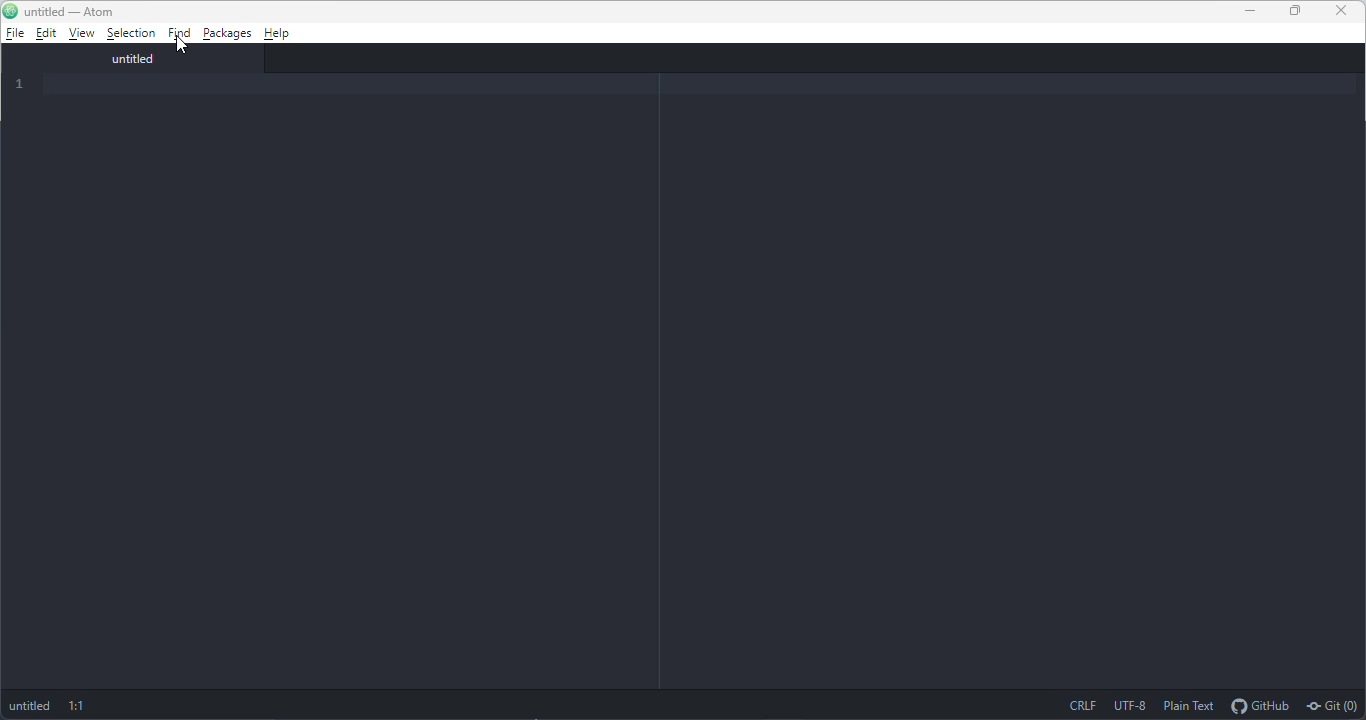 The image size is (1366, 720). What do you see at coordinates (179, 33) in the screenshot?
I see `find` at bounding box center [179, 33].